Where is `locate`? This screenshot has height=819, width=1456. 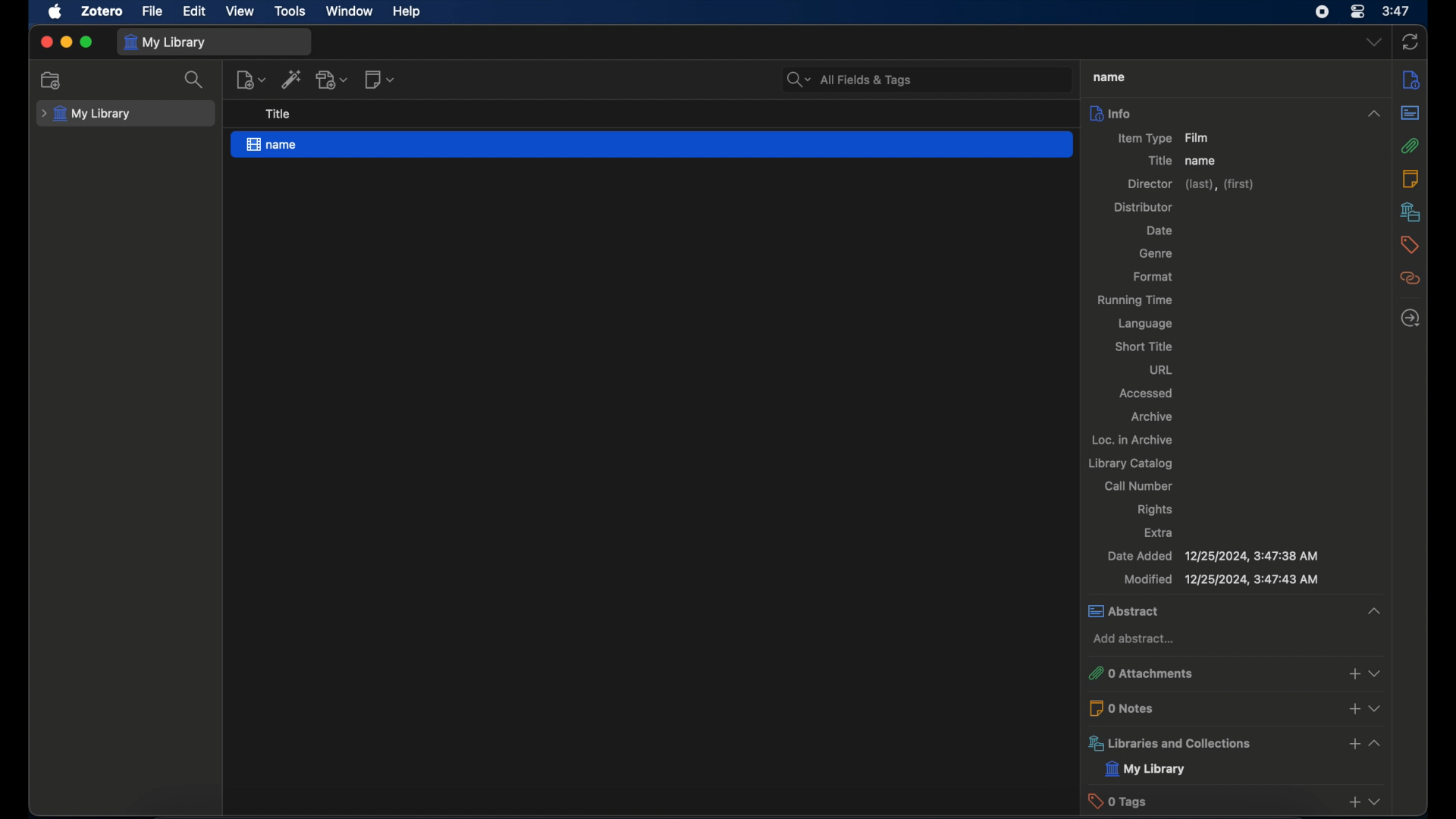
locate is located at coordinates (1411, 318).